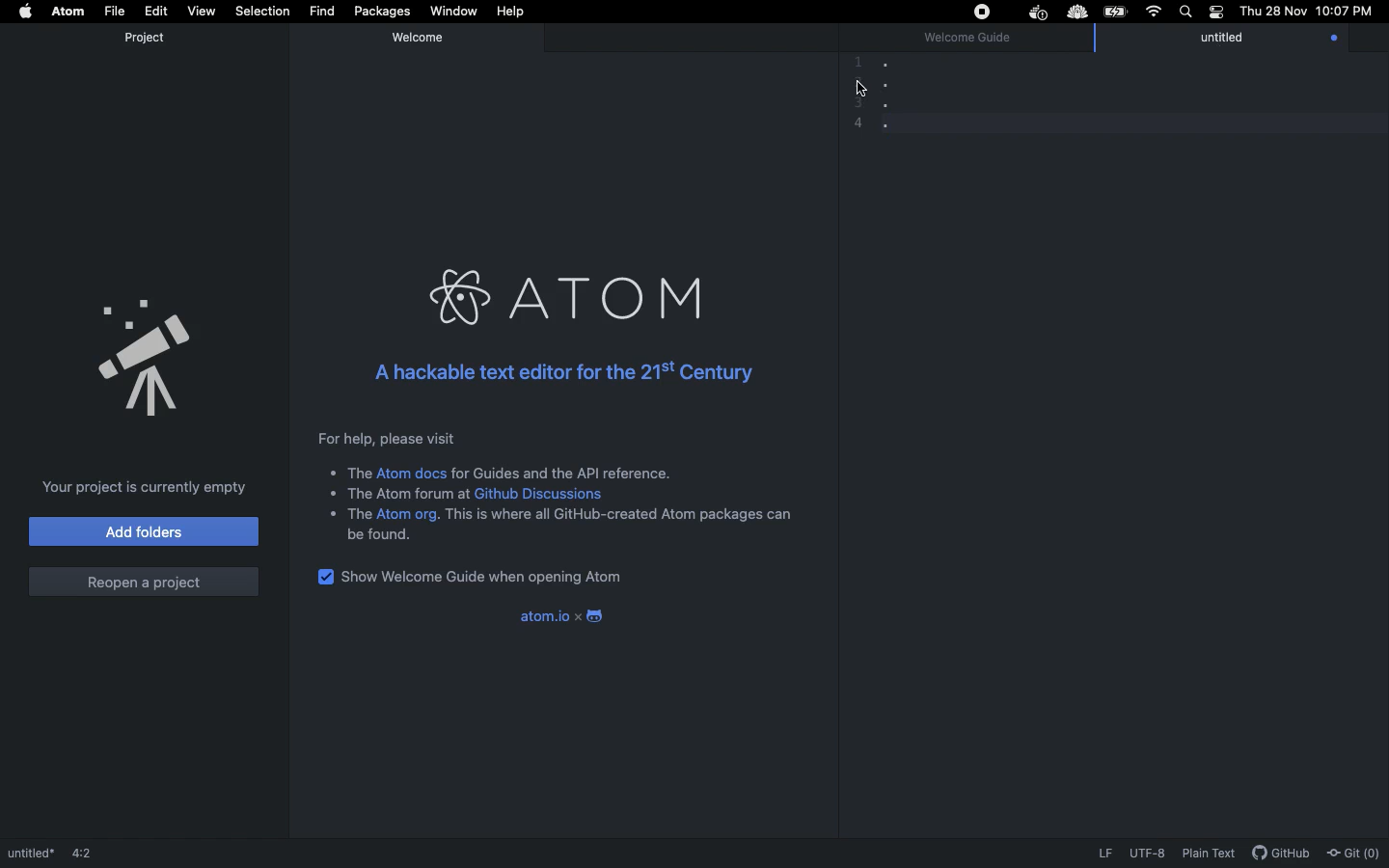 Image resolution: width=1389 pixels, height=868 pixels. I want to click on text, so click(382, 535).